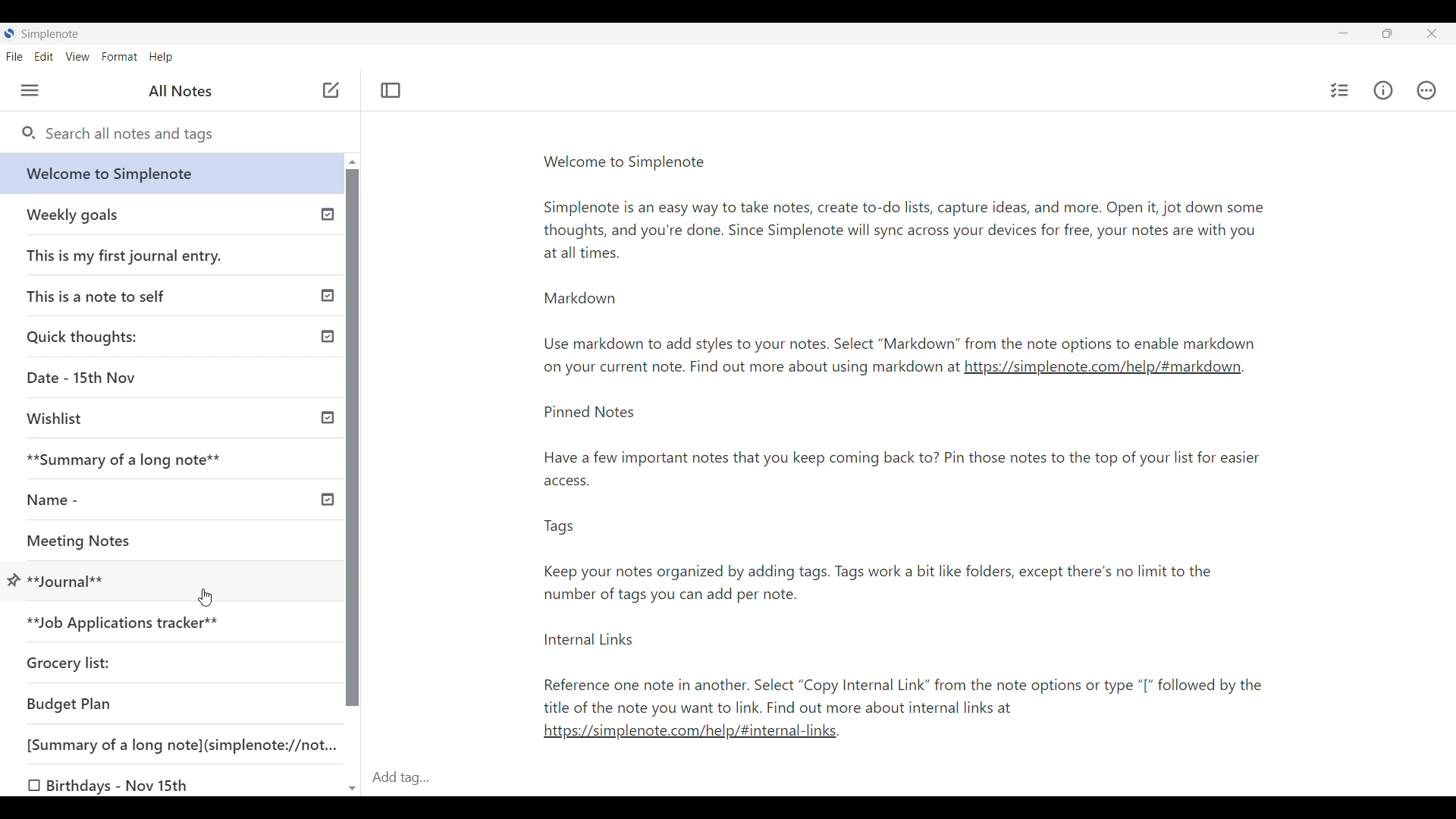 This screenshot has width=1456, height=819. Describe the element at coordinates (189, 134) in the screenshot. I see `Search all notes and tags` at that location.